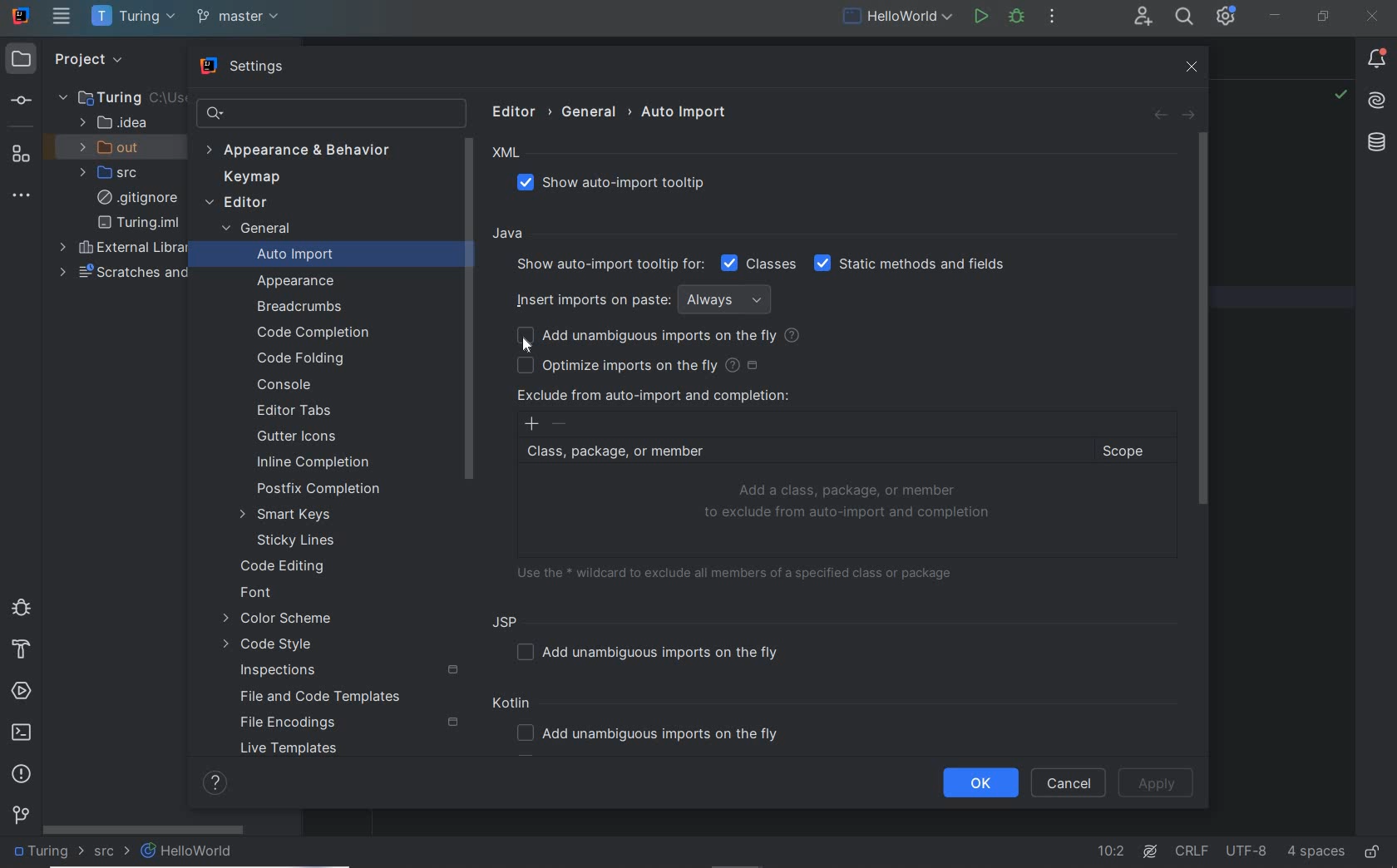 The image size is (1397, 868). Describe the element at coordinates (911, 264) in the screenshot. I see `STATIC MEATHODS AND FIELDS` at that location.